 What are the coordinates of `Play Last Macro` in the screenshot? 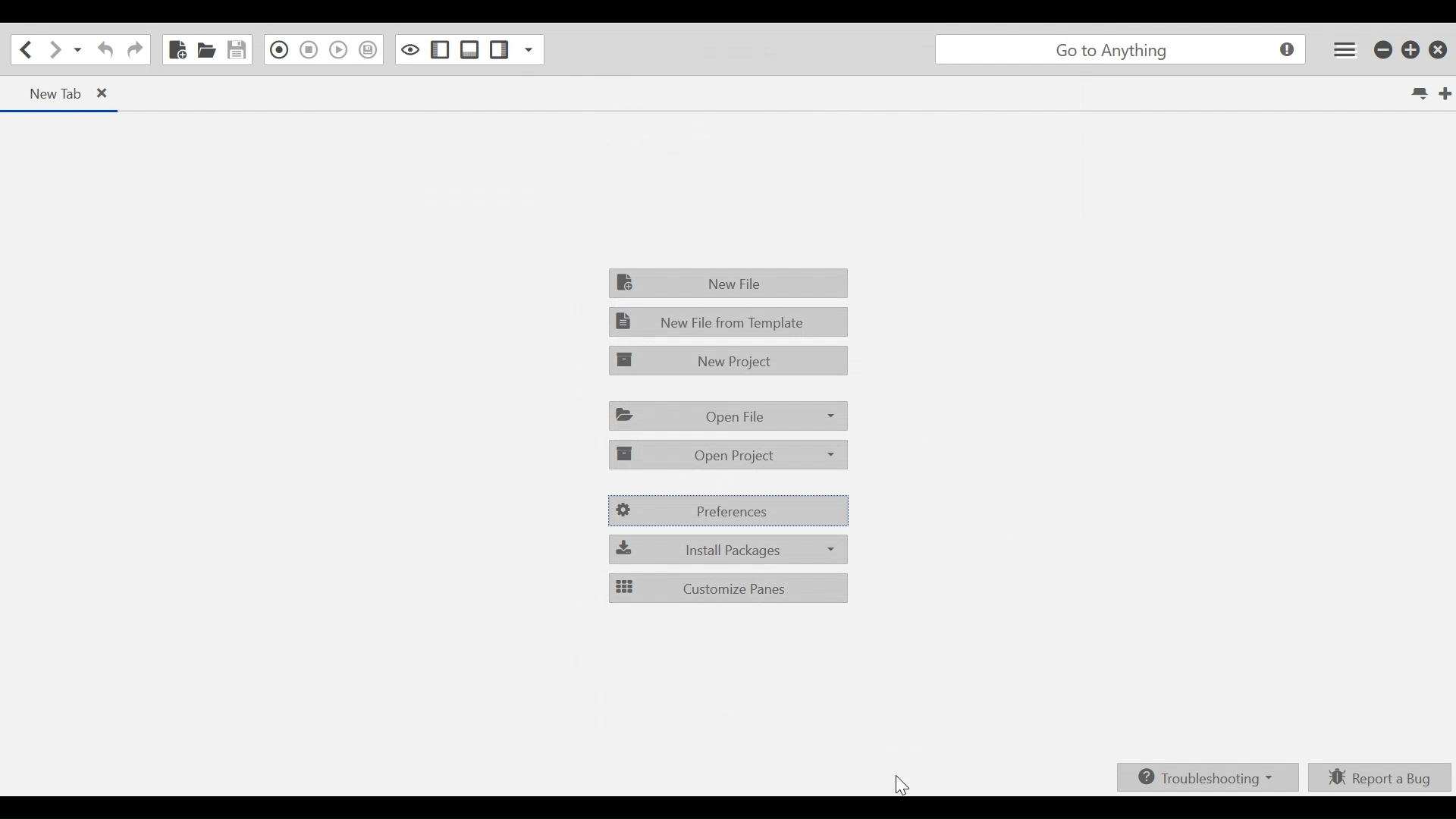 It's located at (338, 49).